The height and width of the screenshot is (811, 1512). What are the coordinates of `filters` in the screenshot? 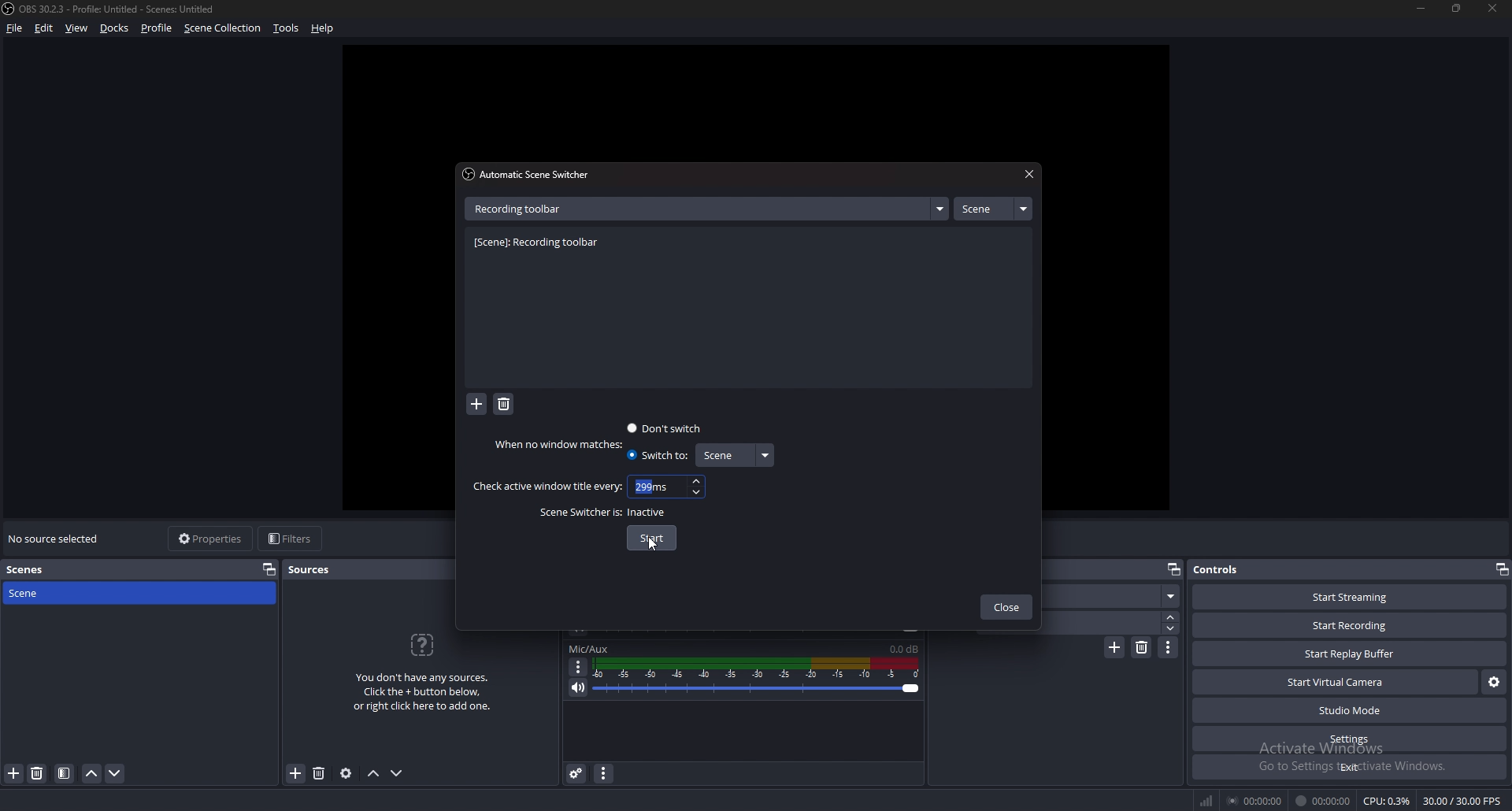 It's located at (292, 538).